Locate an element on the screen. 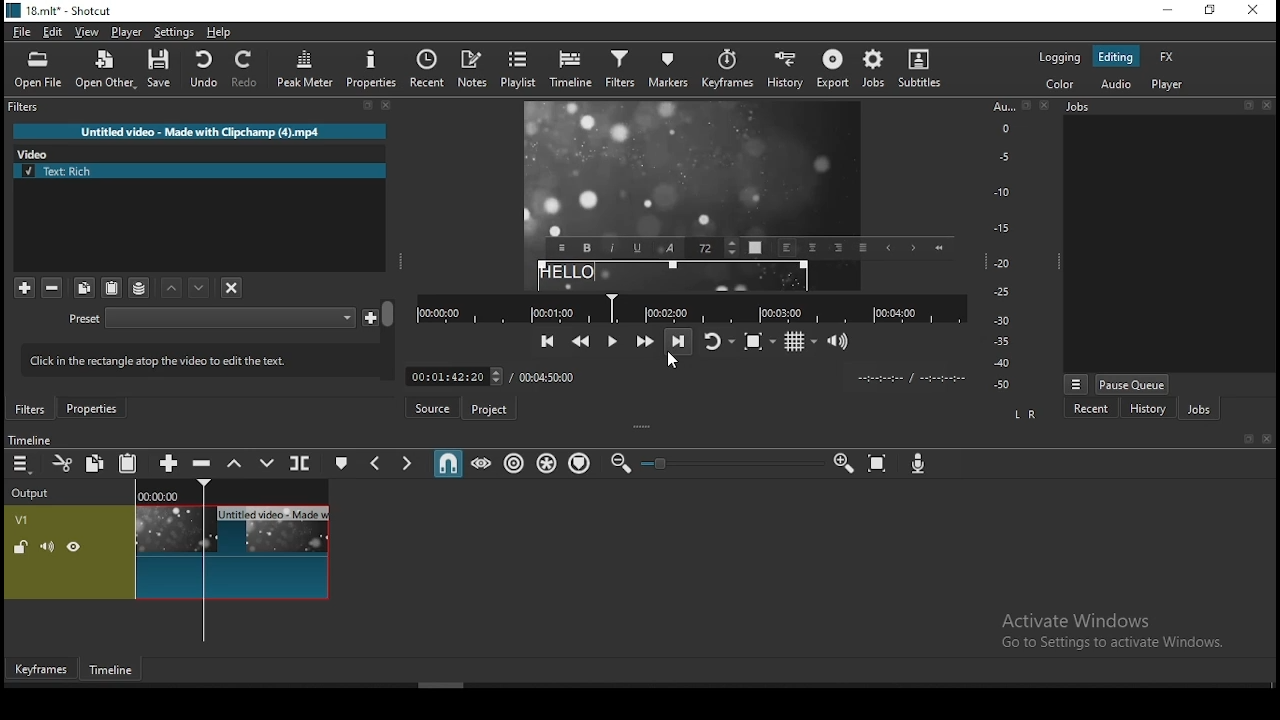  Right align is located at coordinates (838, 246).